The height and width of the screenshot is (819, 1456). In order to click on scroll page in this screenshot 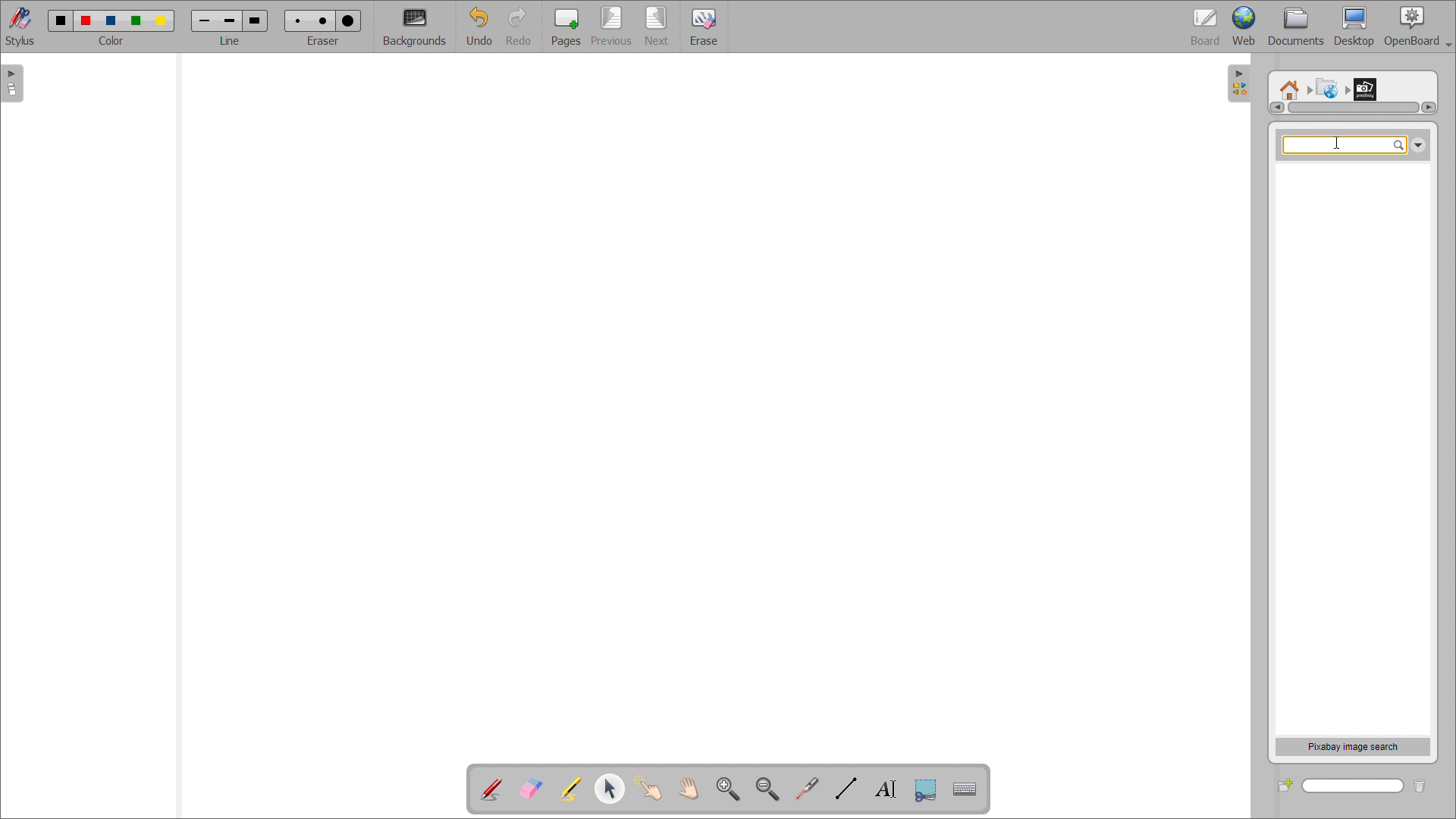, I will do `click(688, 787)`.